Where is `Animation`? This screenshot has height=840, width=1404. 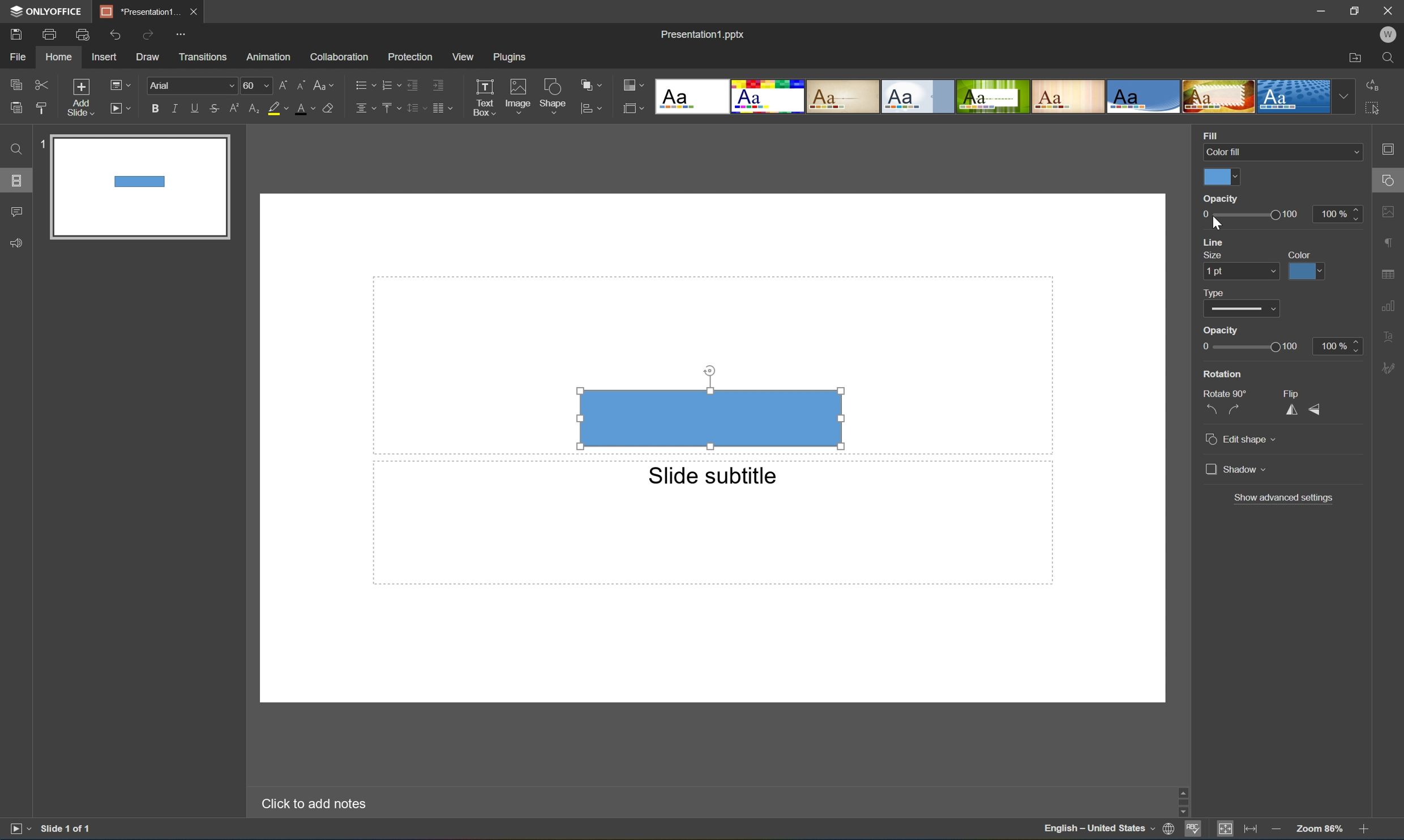 Animation is located at coordinates (271, 58).